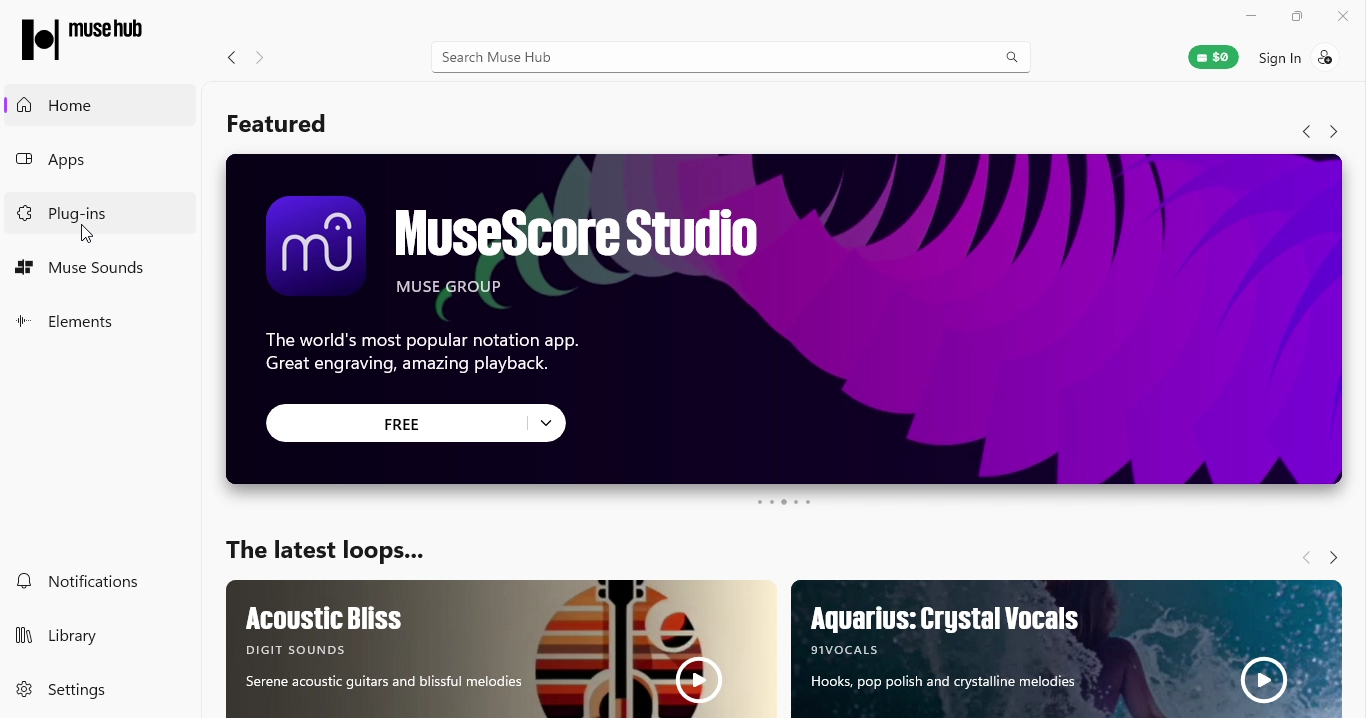 The image size is (1366, 718). I want to click on Apps, so click(97, 163).